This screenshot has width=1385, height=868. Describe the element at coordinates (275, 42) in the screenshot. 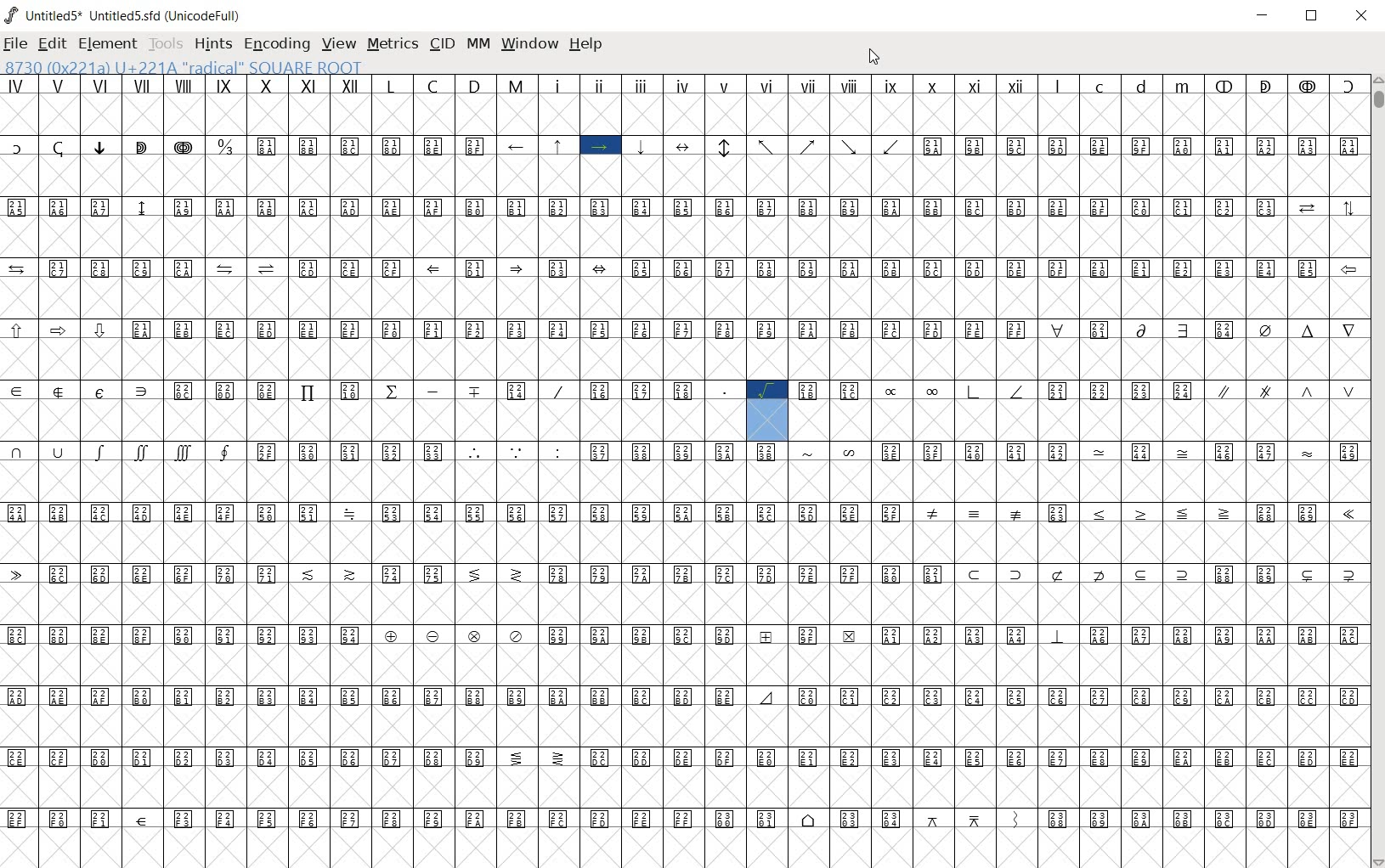

I see `ENCODING` at that location.